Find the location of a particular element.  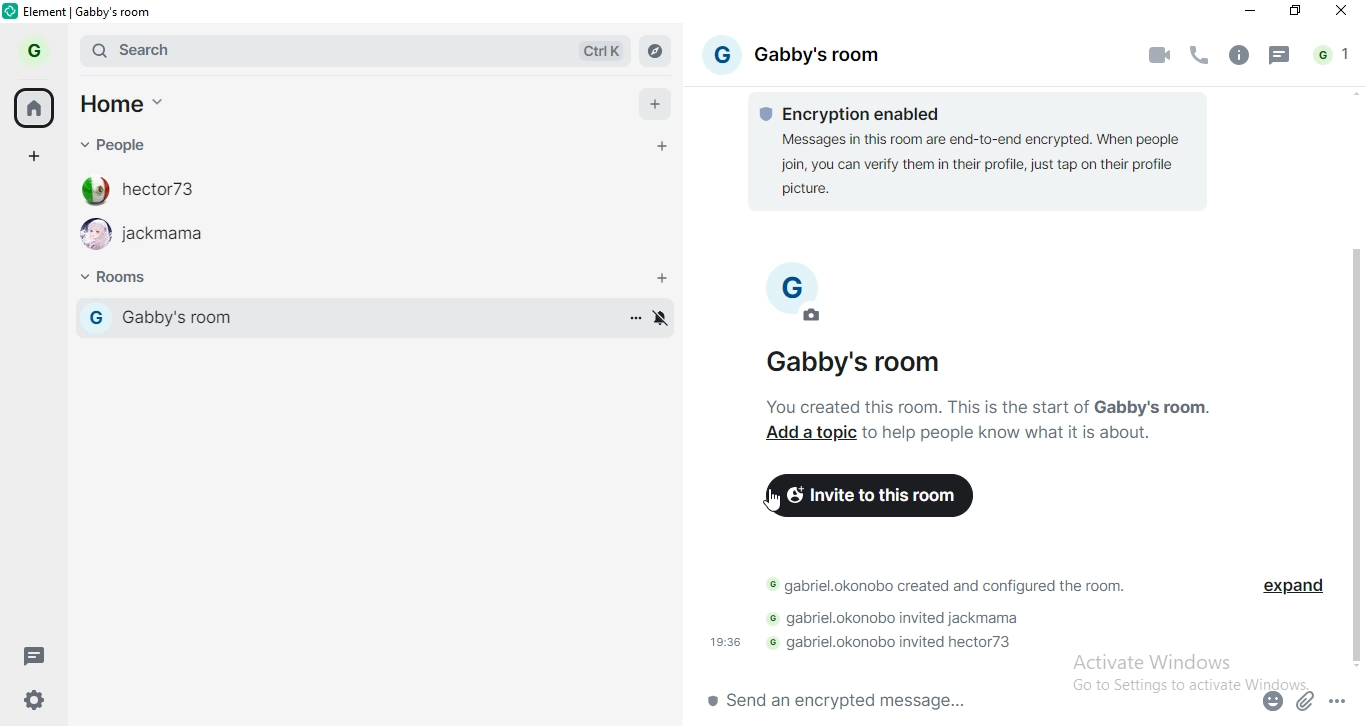

home button is located at coordinates (36, 109).